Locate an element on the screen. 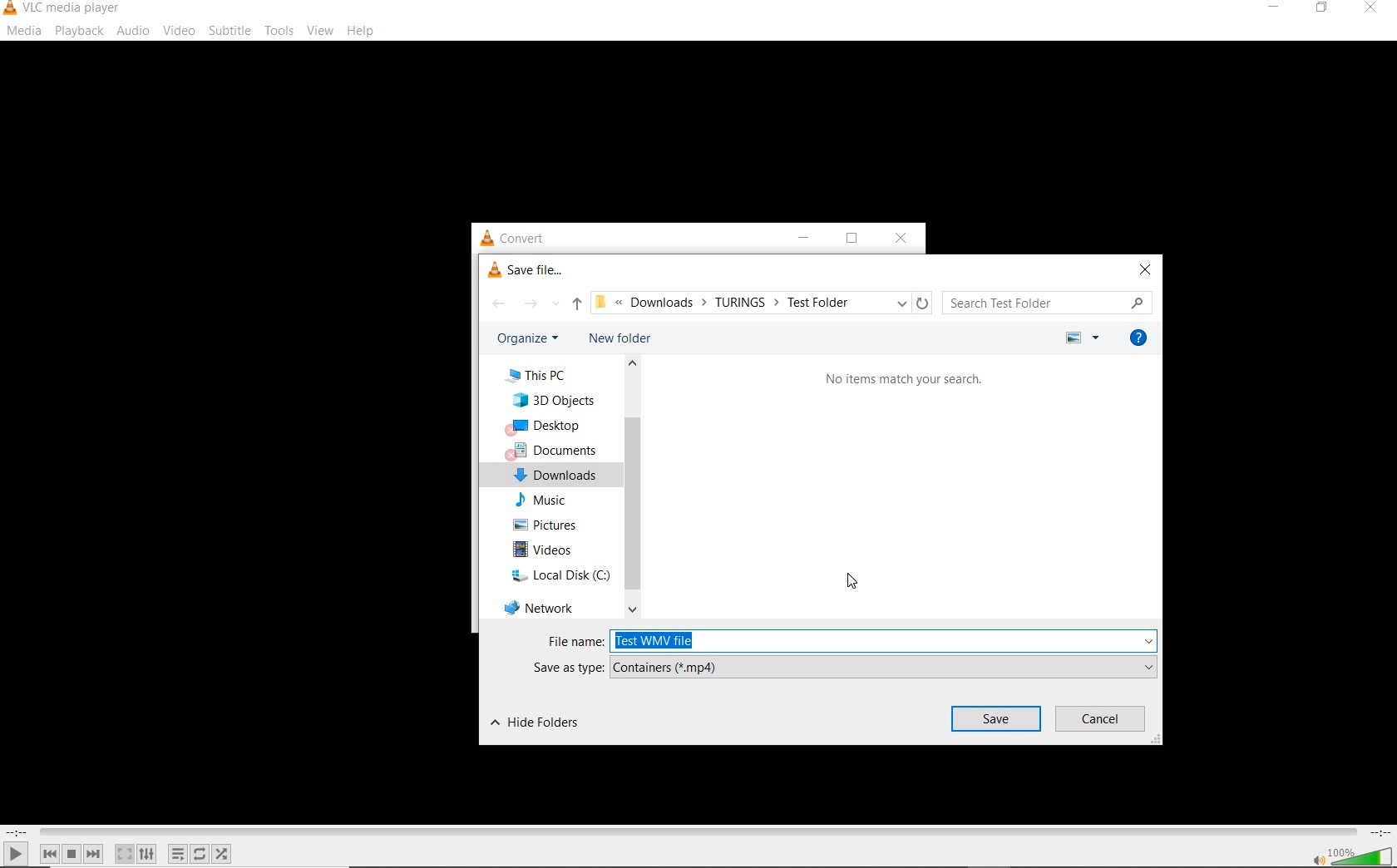  videos is located at coordinates (547, 549).